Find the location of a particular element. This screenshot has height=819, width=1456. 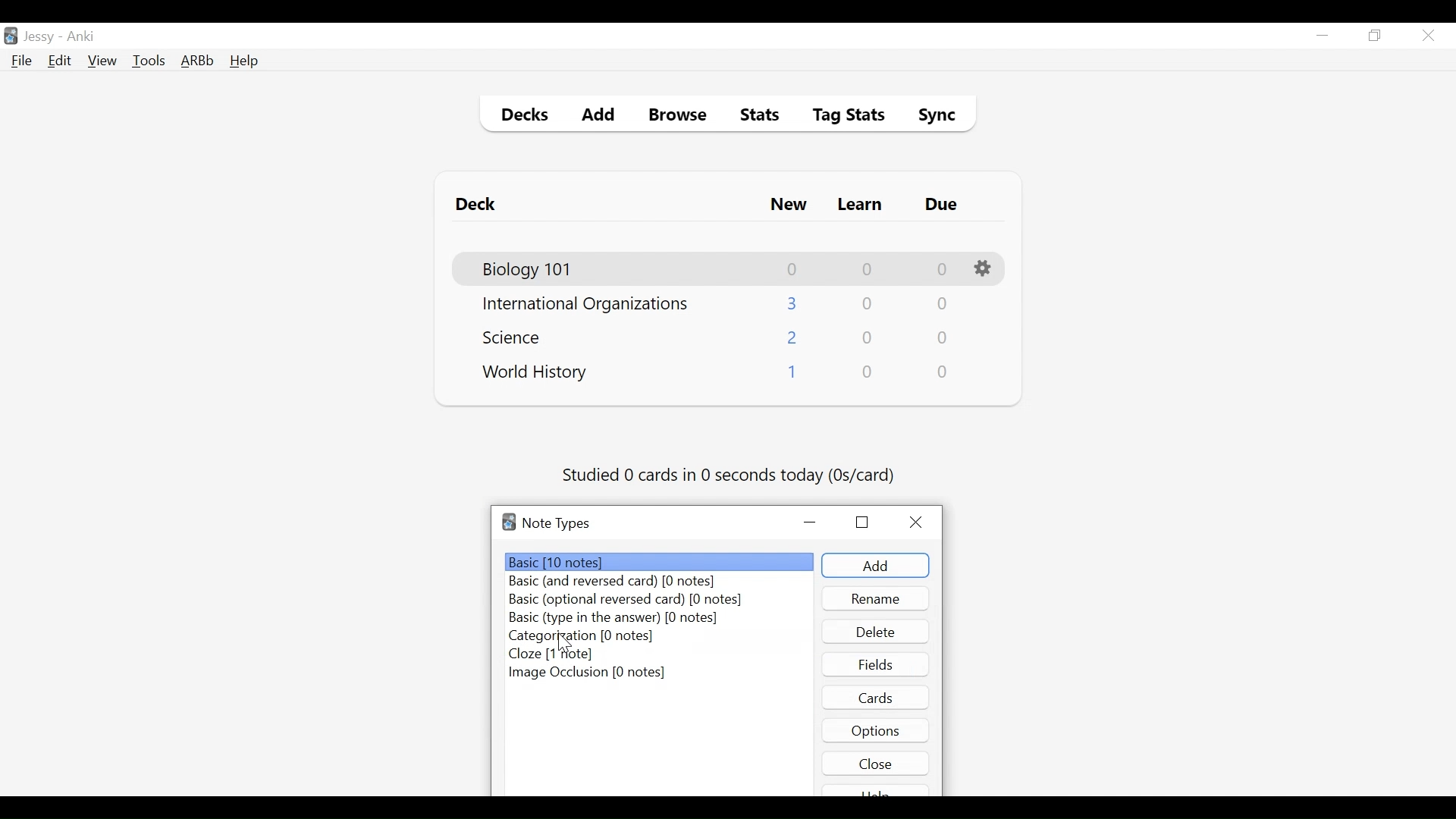

Close is located at coordinates (876, 763).